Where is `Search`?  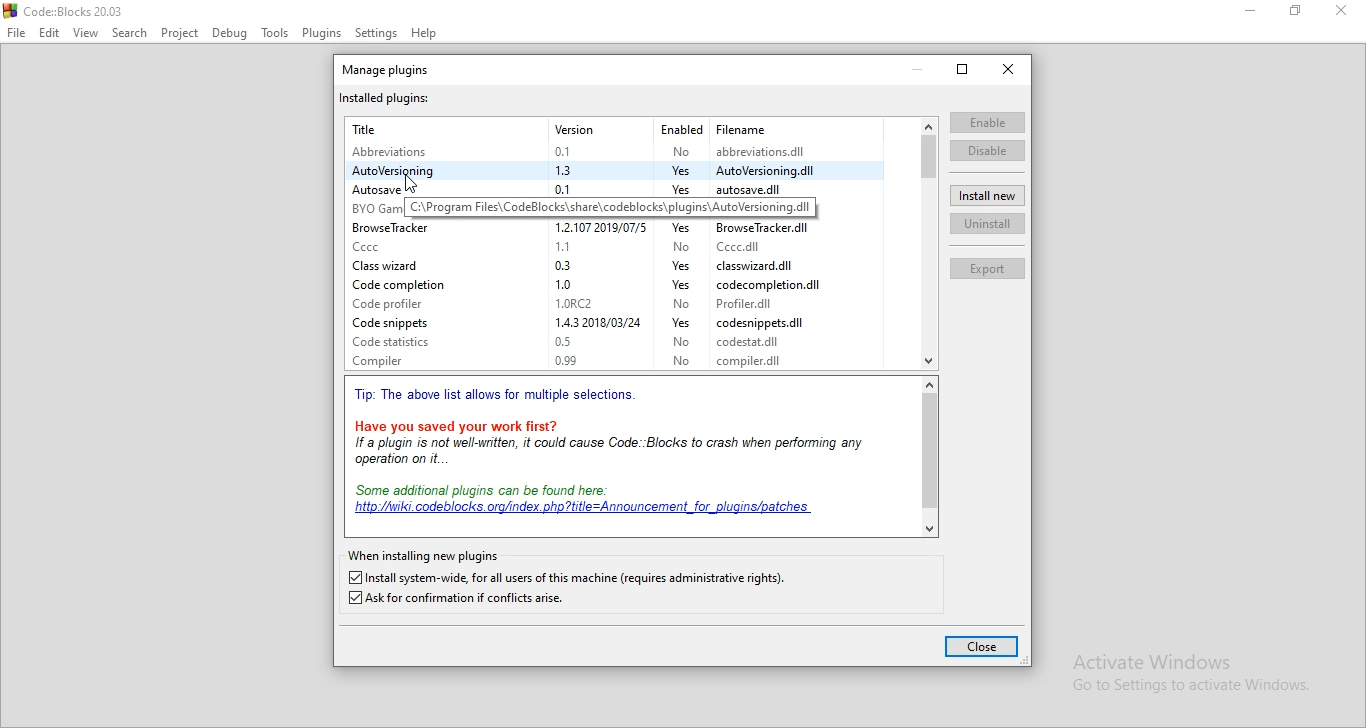 Search is located at coordinates (128, 34).